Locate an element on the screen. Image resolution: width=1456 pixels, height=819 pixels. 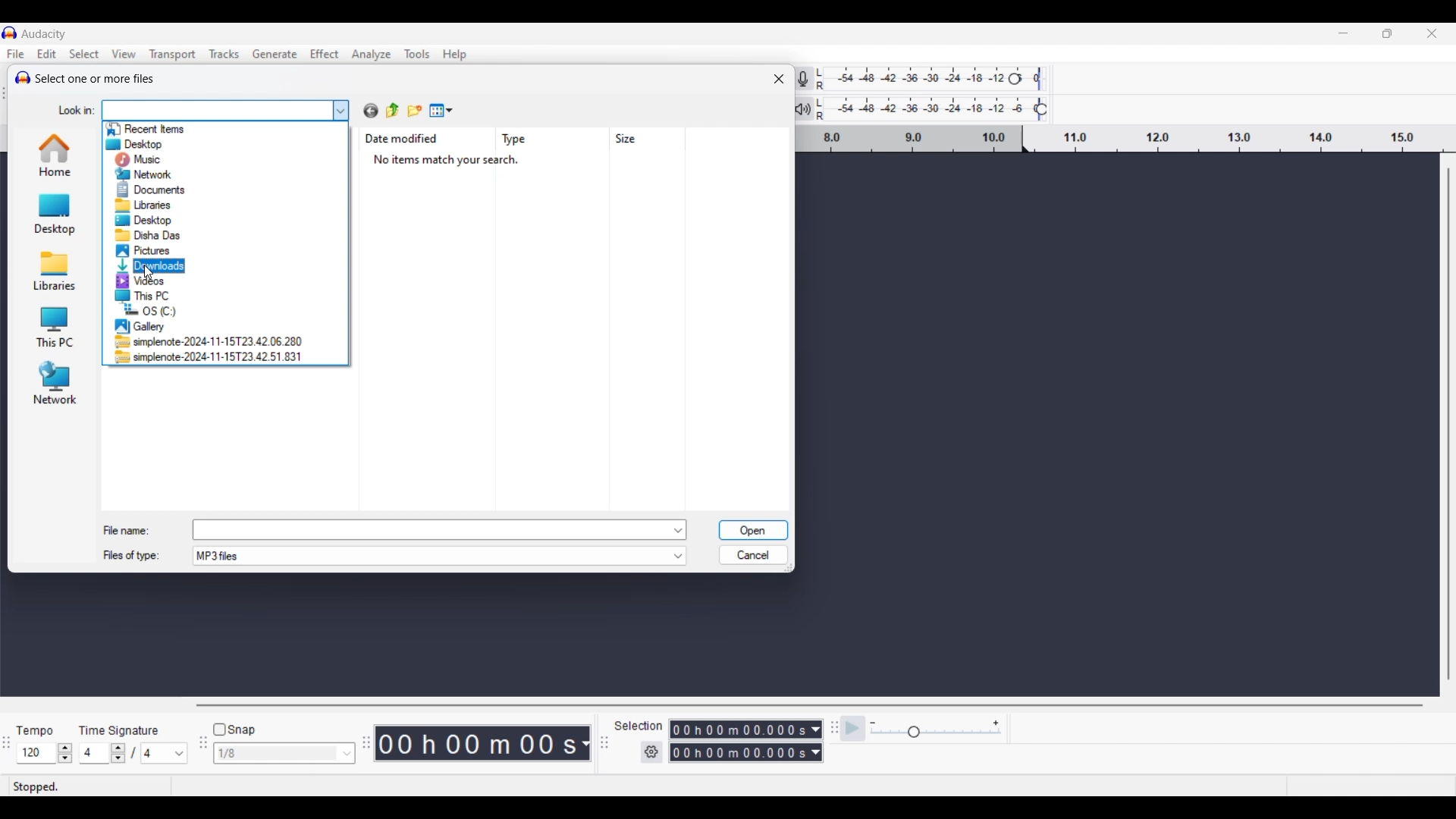
Increase/Decrease tempo is located at coordinates (65, 753).